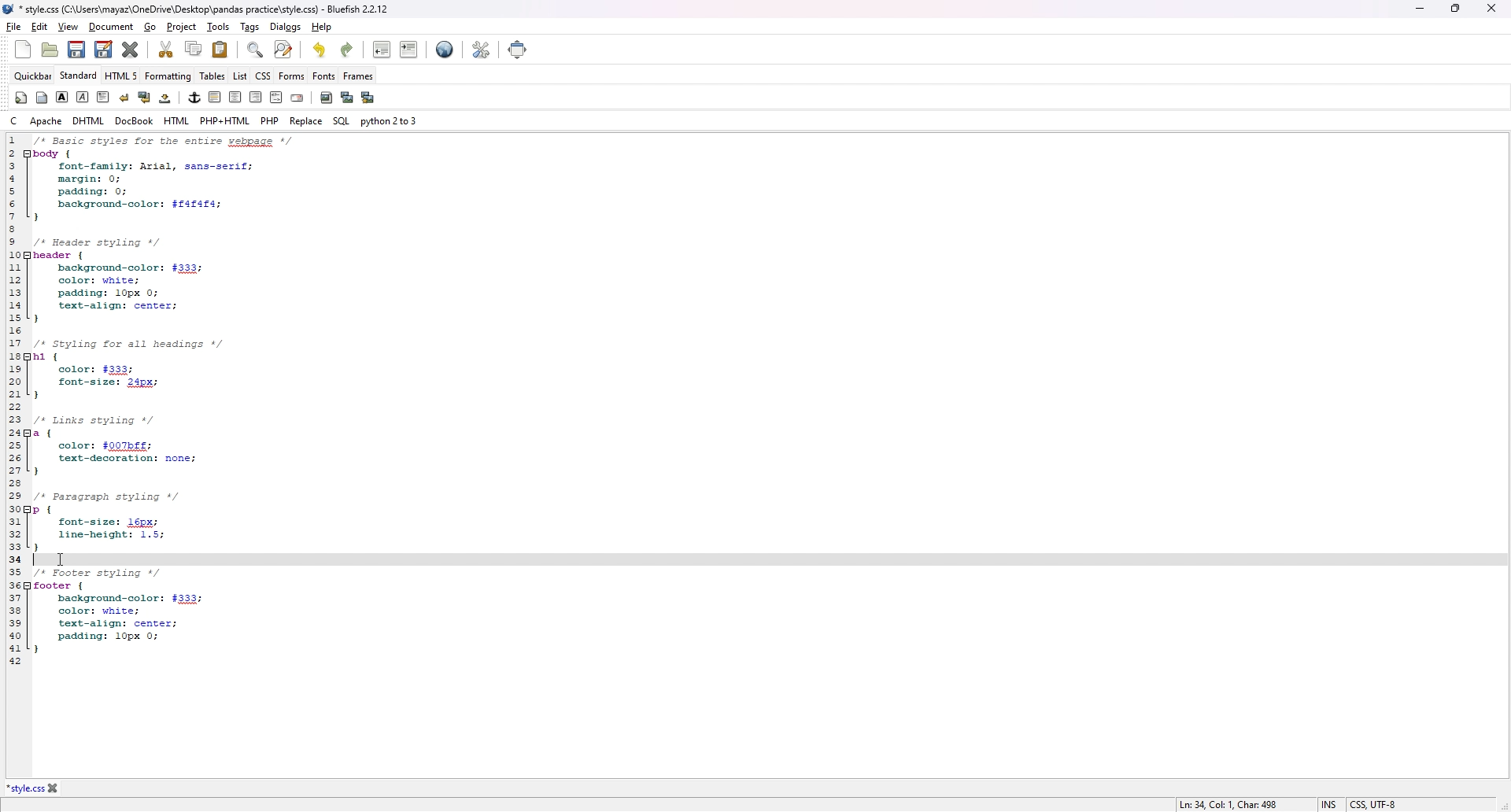  What do you see at coordinates (24, 788) in the screenshot?
I see `*style.css` at bounding box center [24, 788].